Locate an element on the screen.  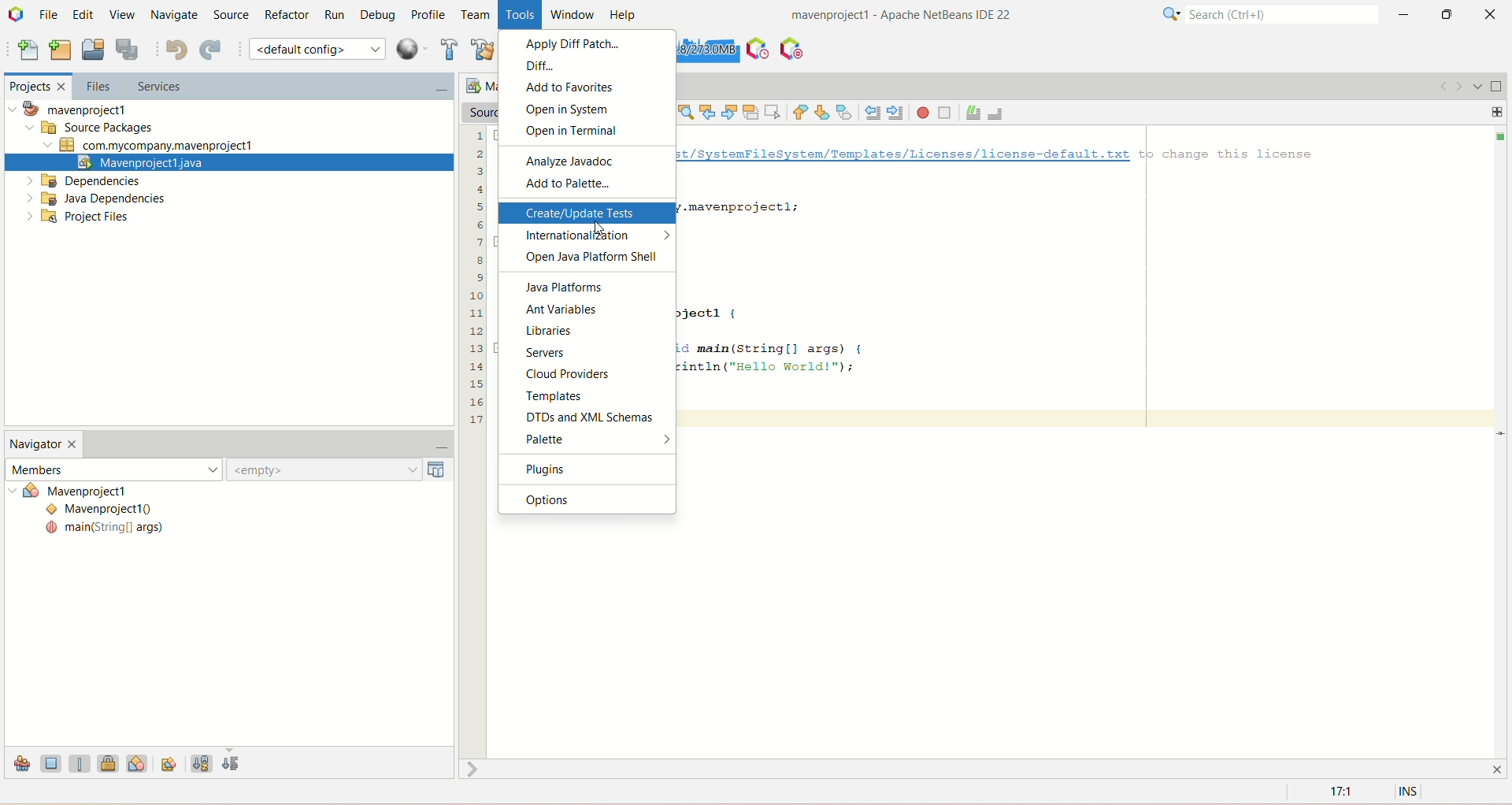
DTDs and XML schemas is located at coordinates (588, 417).